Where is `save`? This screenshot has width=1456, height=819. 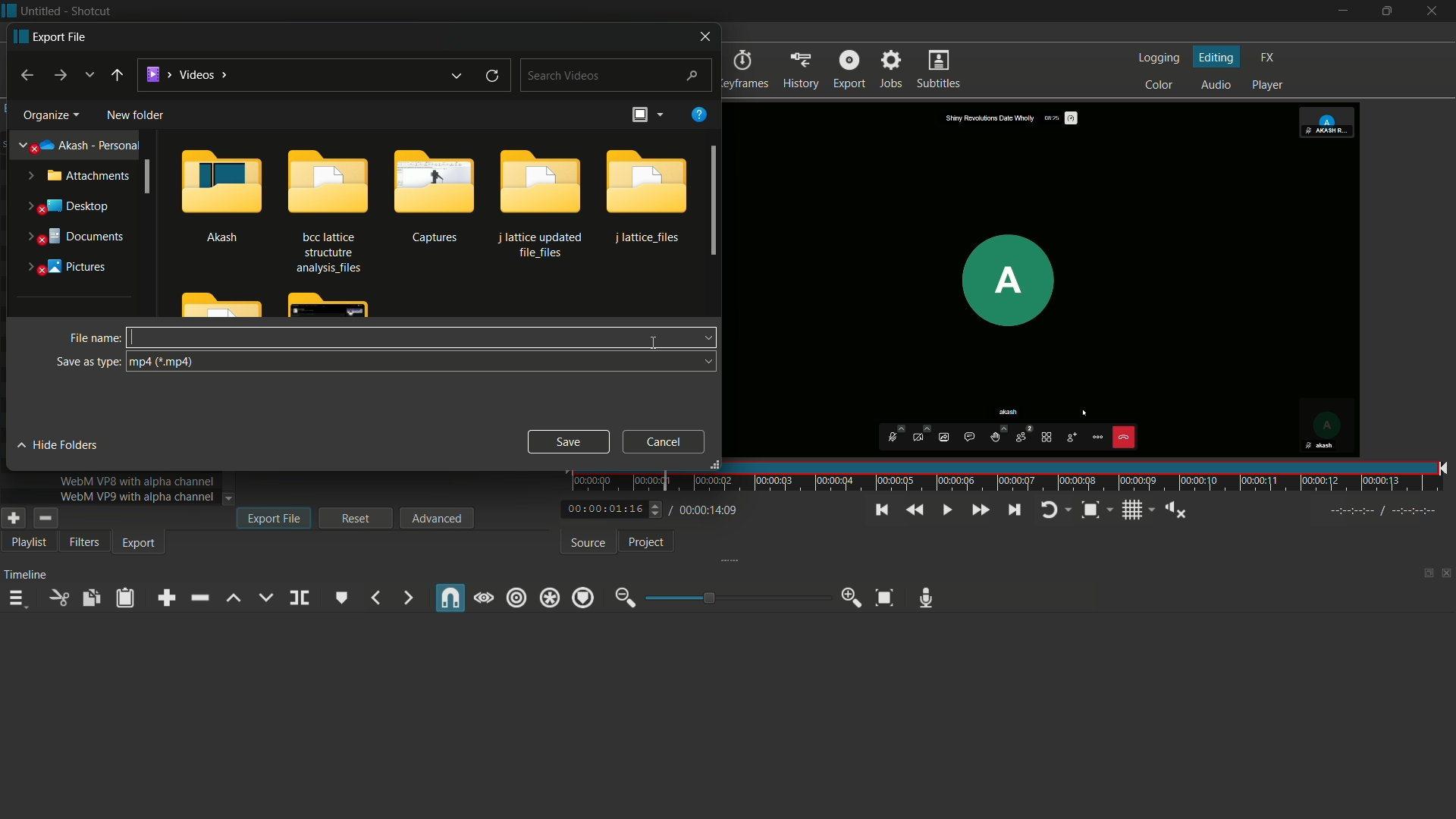
save is located at coordinates (567, 441).